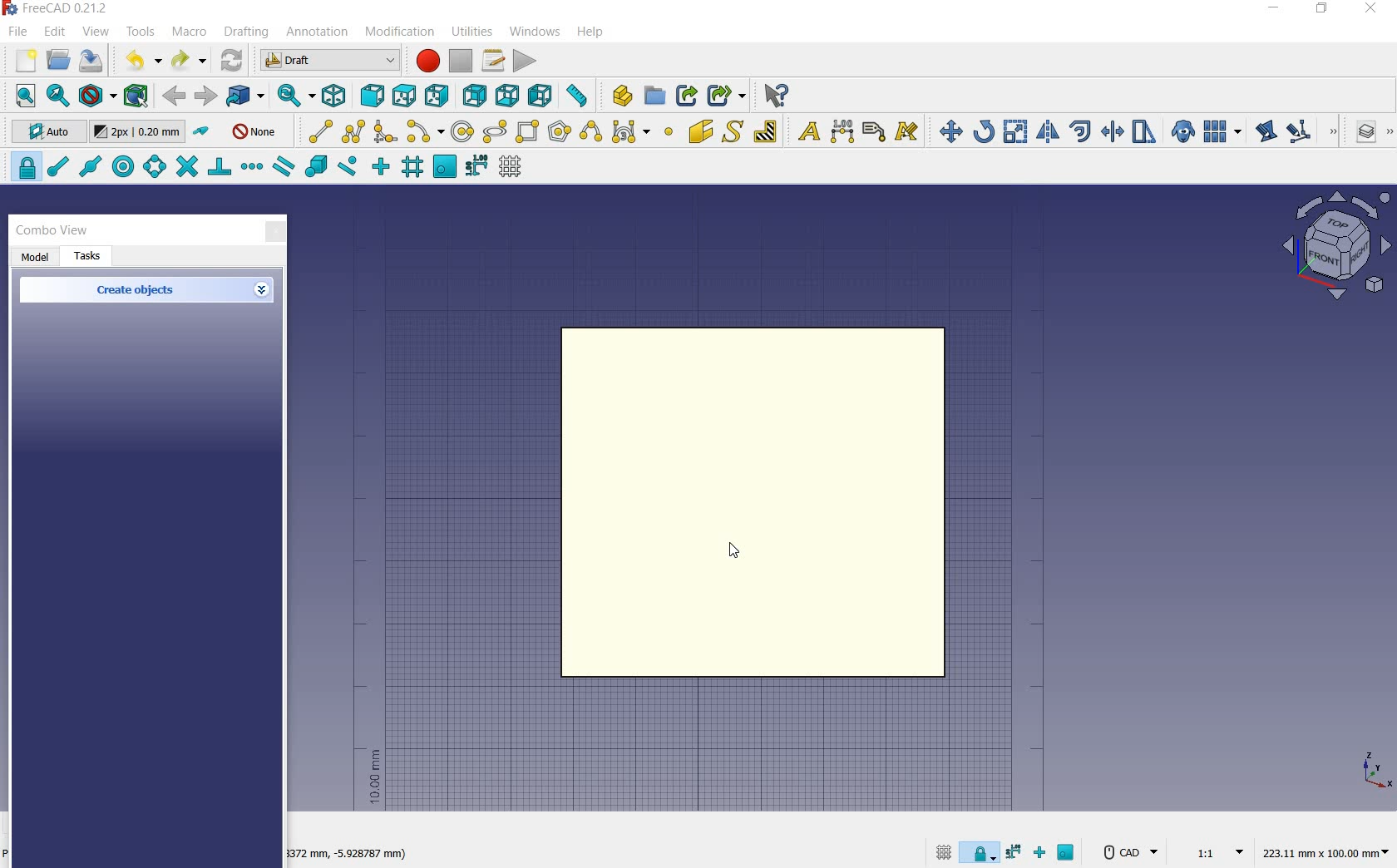 The width and height of the screenshot is (1397, 868). What do you see at coordinates (440, 96) in the screenshot?
I see `right` at bounding box center [440, 96].